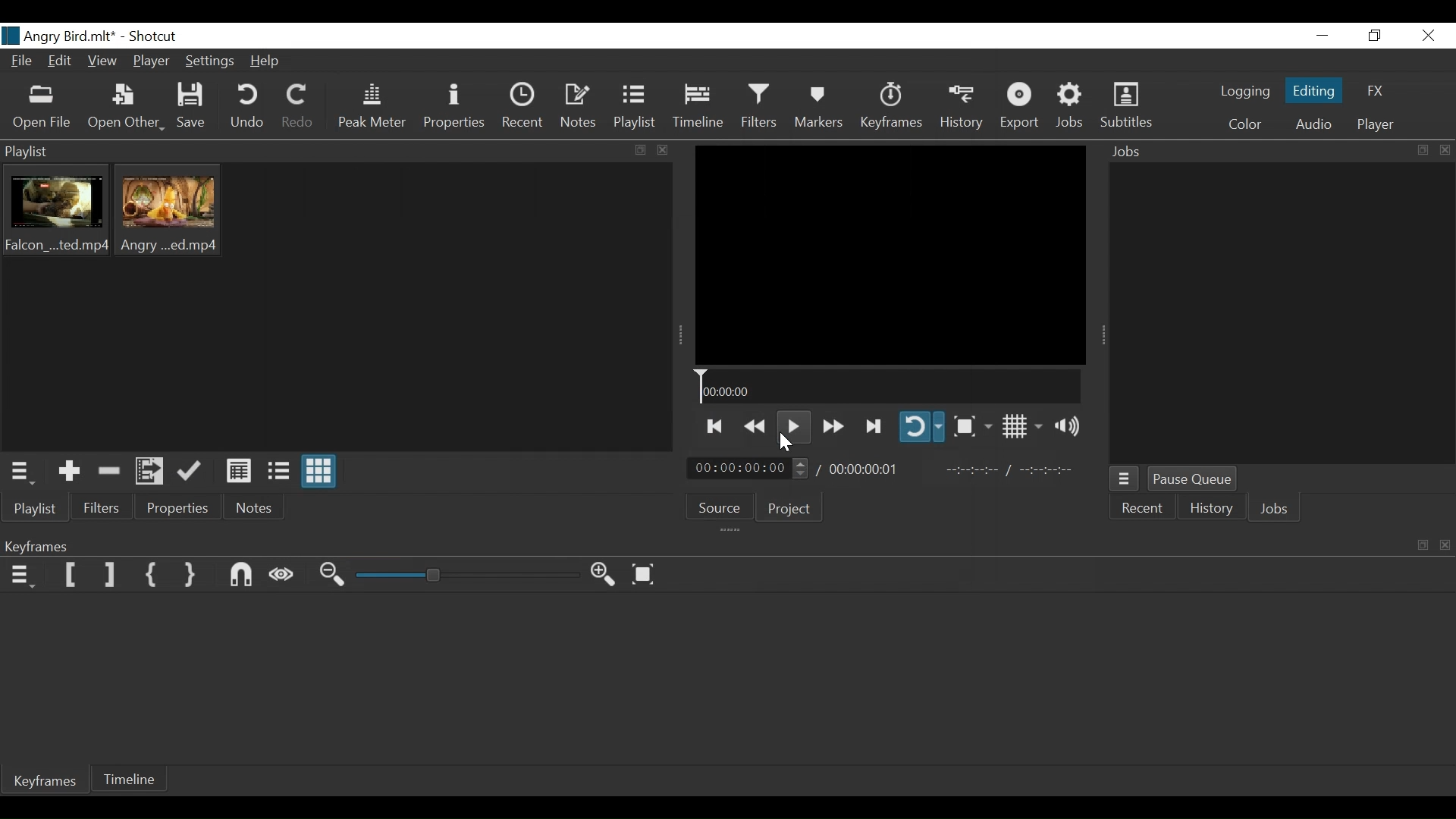 Image resolution: width=1456 pixels, height=819 pixels. What do you see at coordinates (192, 576) in the screenshot?
I see `Set Second Simple Keyframe` at bounding box center [192, 576].